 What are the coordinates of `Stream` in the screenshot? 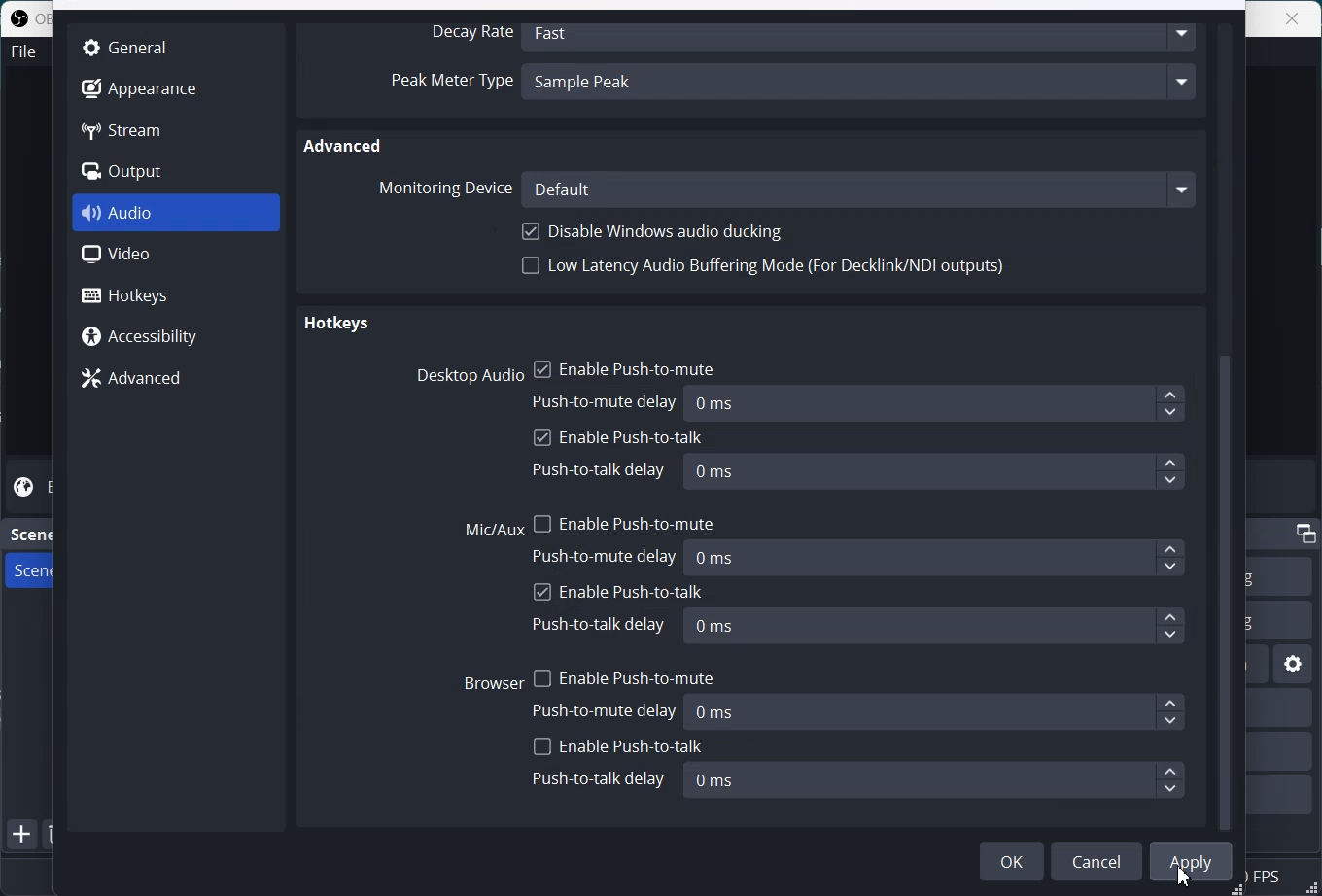 It's located at (138, 129).